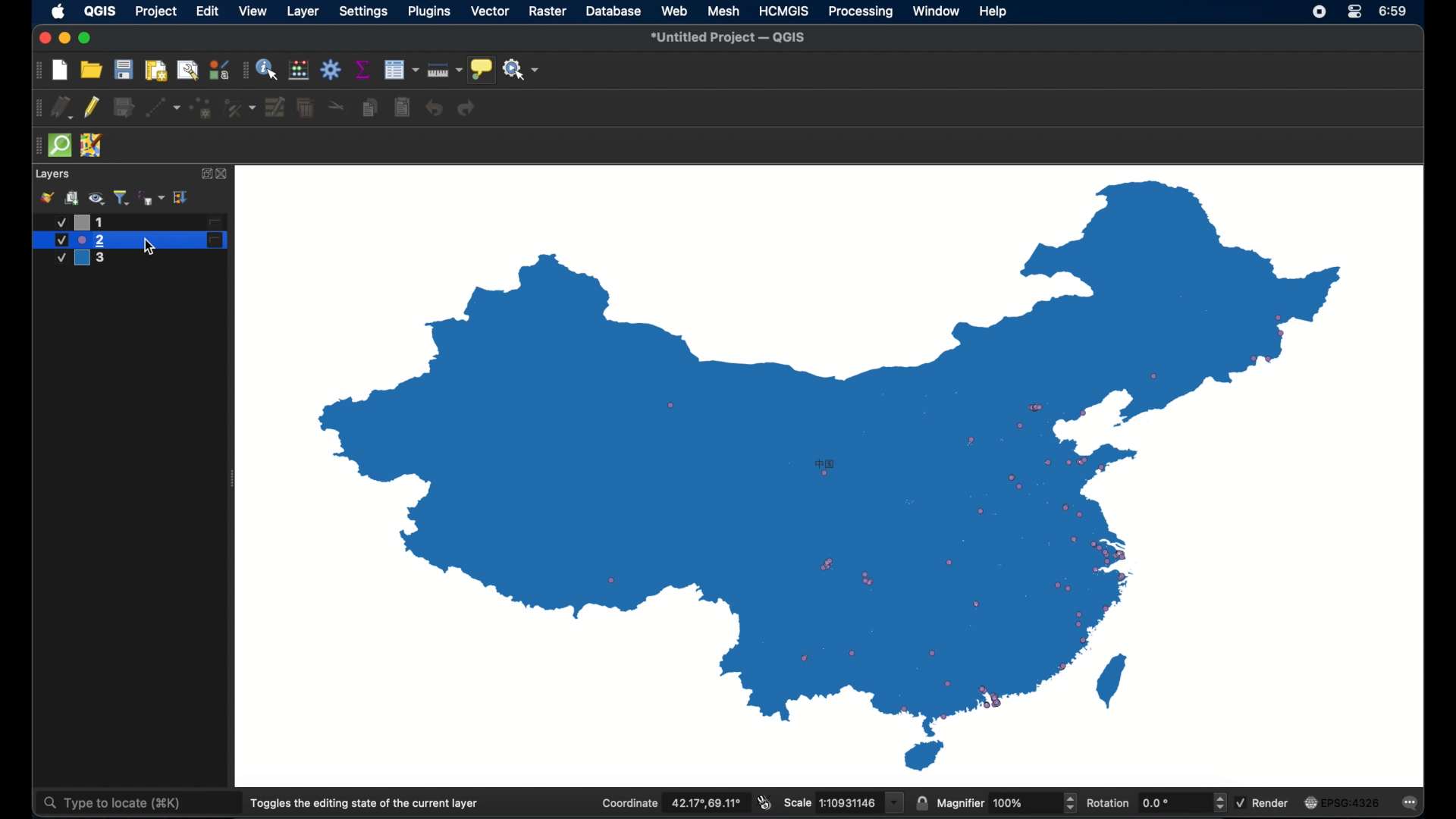 The height and width of the screenshot is (819, 1456). Describe the element at coordinates (1156, 802) in the screenshot. I see `rotation` at that location.